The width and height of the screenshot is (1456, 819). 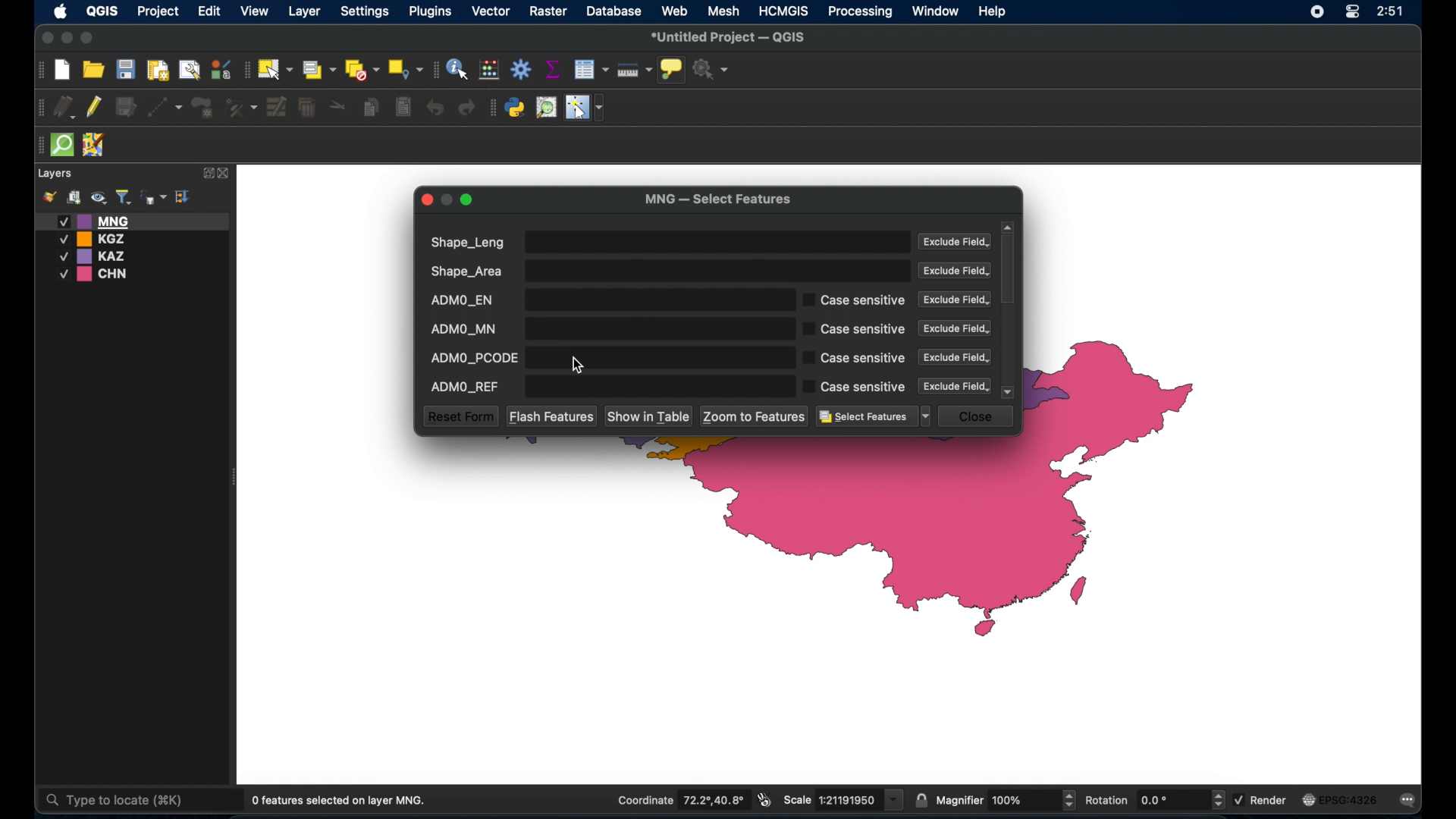 I want to click on show in table, so click(x=650, y=417).